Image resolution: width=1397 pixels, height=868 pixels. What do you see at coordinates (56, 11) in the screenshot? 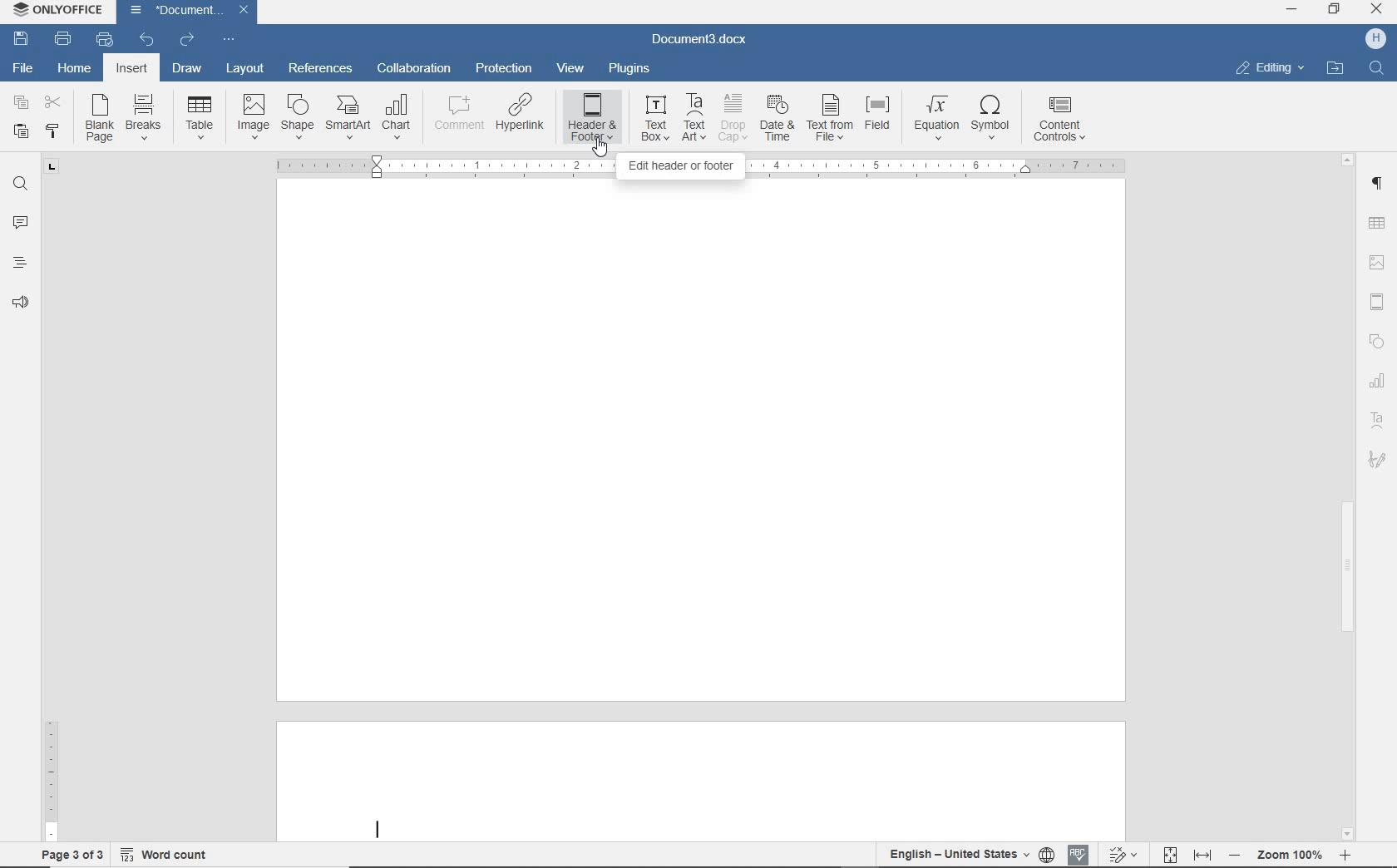
I see `OnlyOffice` at bounding box center [56, 11].